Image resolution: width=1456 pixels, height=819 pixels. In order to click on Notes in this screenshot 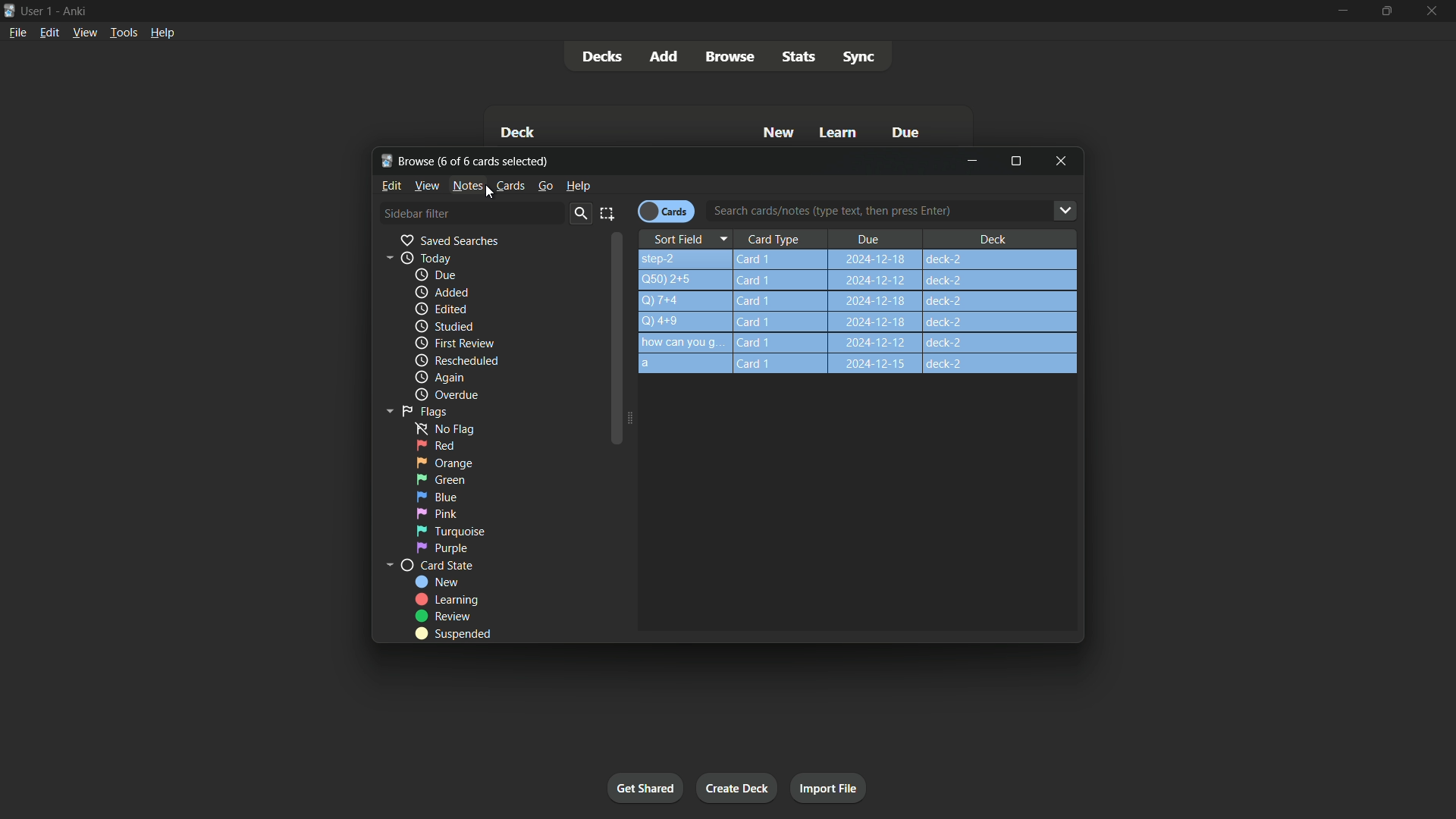, I will do `click(469, 186)`.